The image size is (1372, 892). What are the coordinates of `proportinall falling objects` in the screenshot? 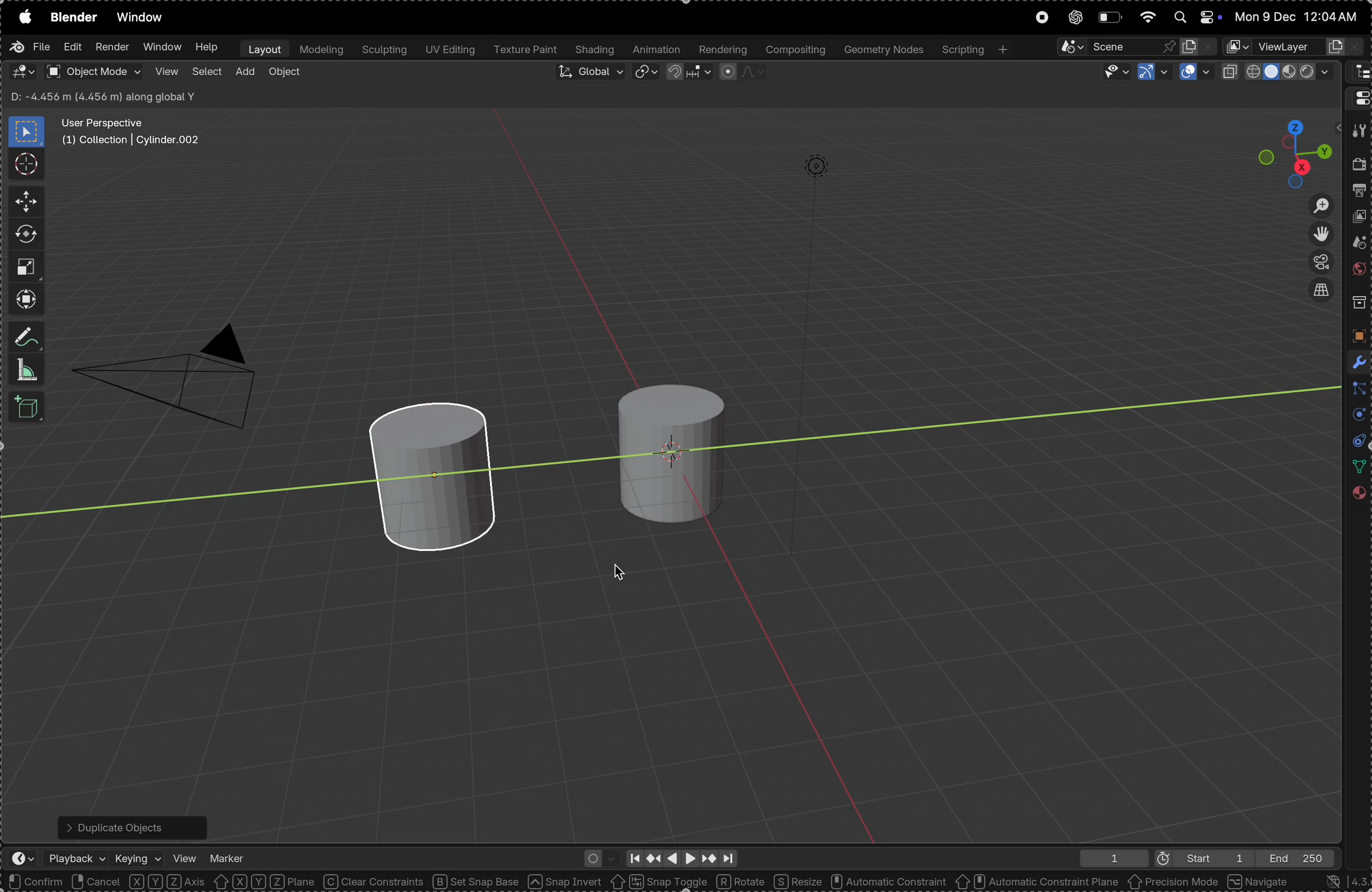 It's located at (737, 72).